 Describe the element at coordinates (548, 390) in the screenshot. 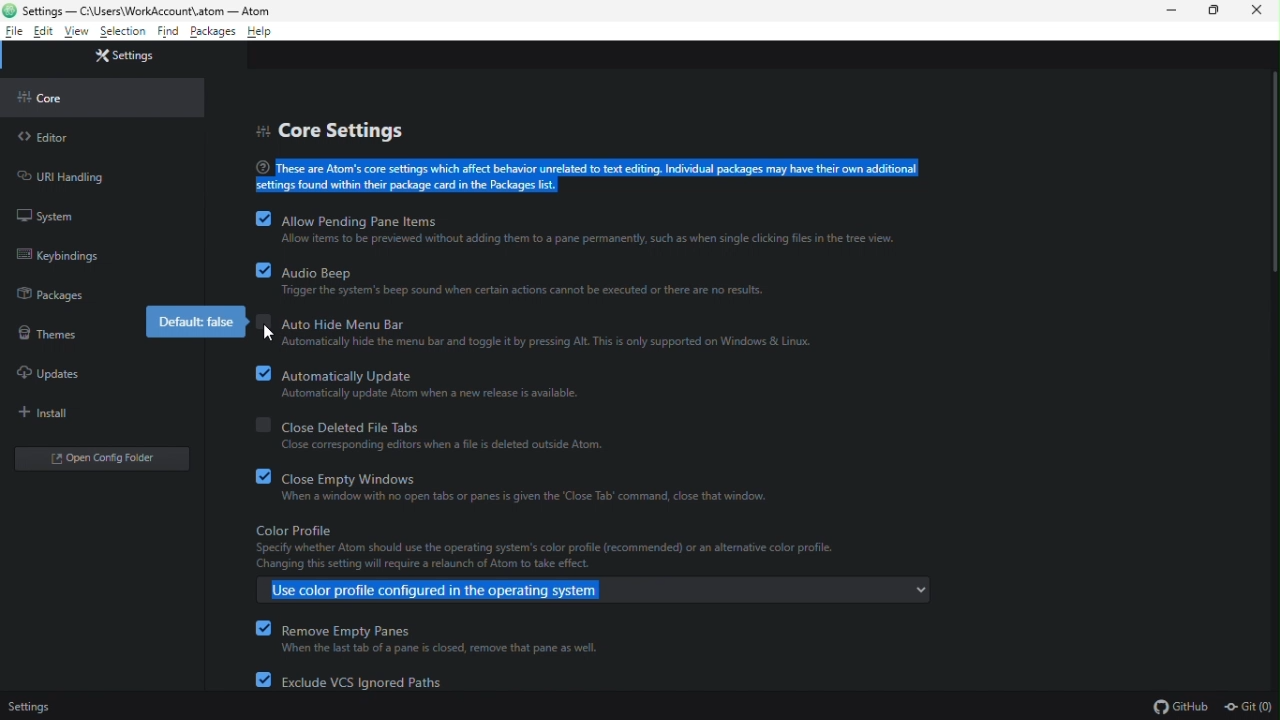

I see `4 Automatically UpdateAutomatically update Atom when a new release is available.` at that location.